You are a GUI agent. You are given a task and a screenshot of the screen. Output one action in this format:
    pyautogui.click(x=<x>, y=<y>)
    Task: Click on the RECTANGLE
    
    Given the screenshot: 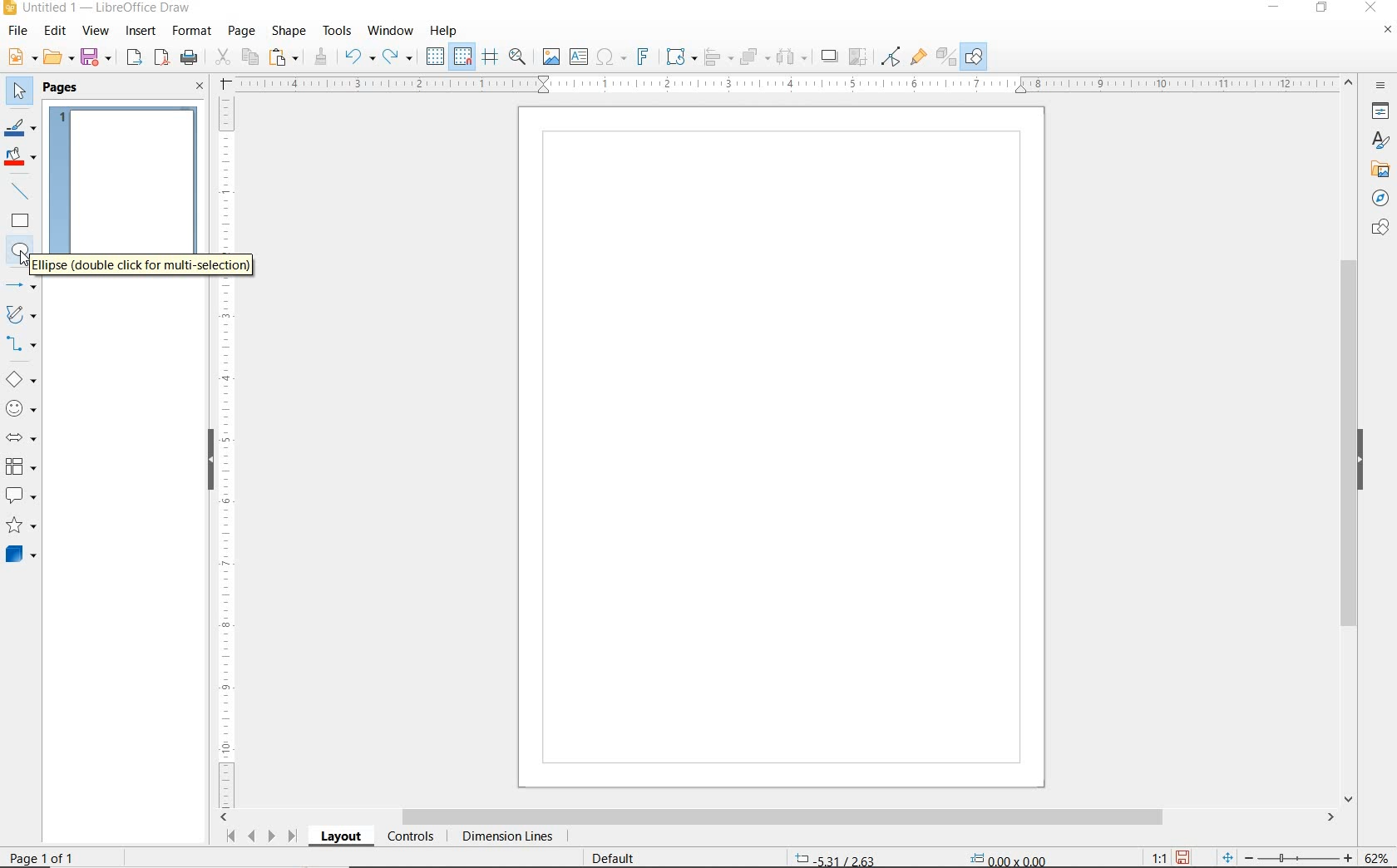 What is the action you would take?
    pyautogui.click(x=20, y=223)
    